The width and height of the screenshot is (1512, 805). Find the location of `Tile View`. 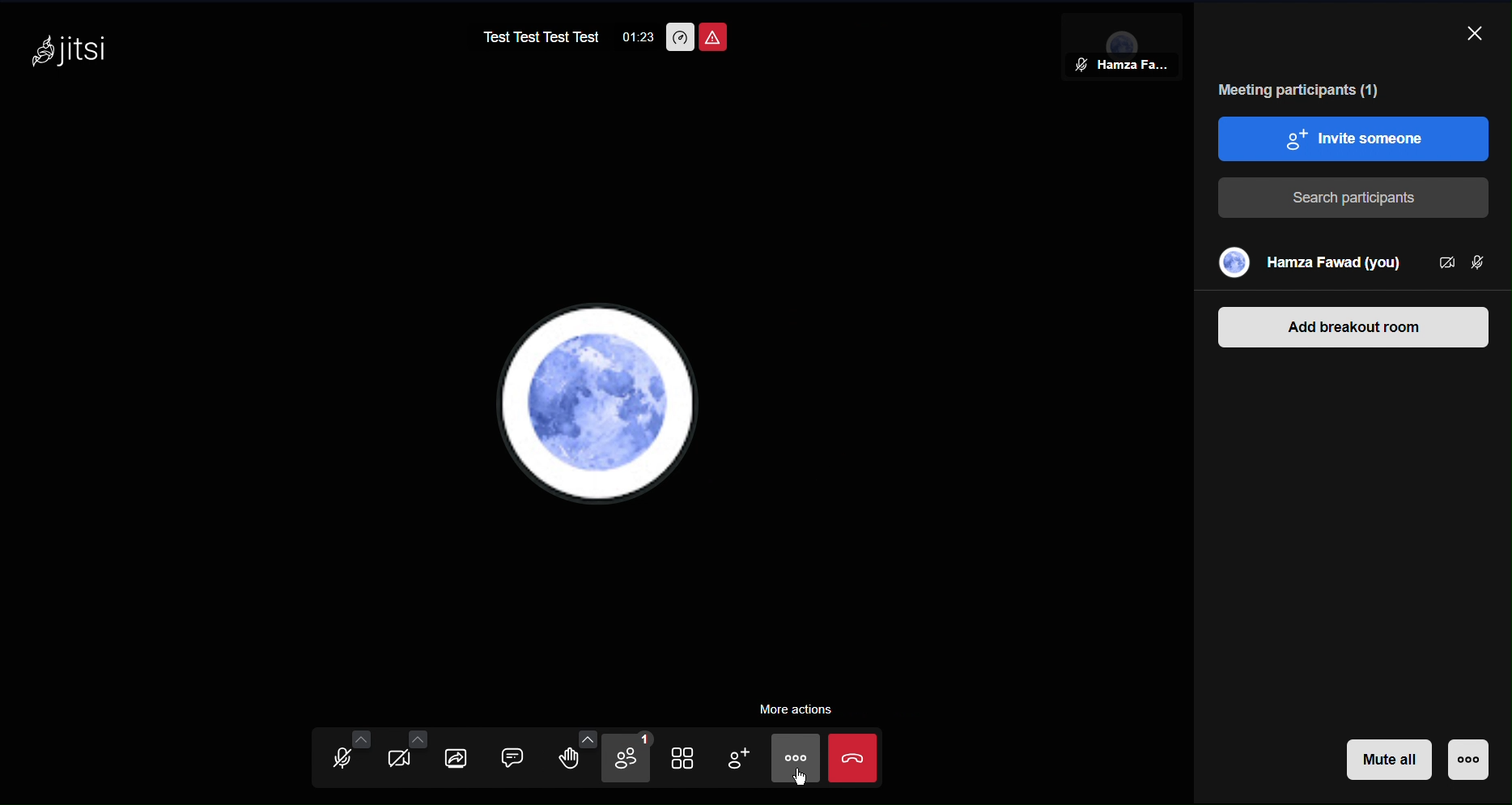

Tile View is located at coordinates (695, 759).